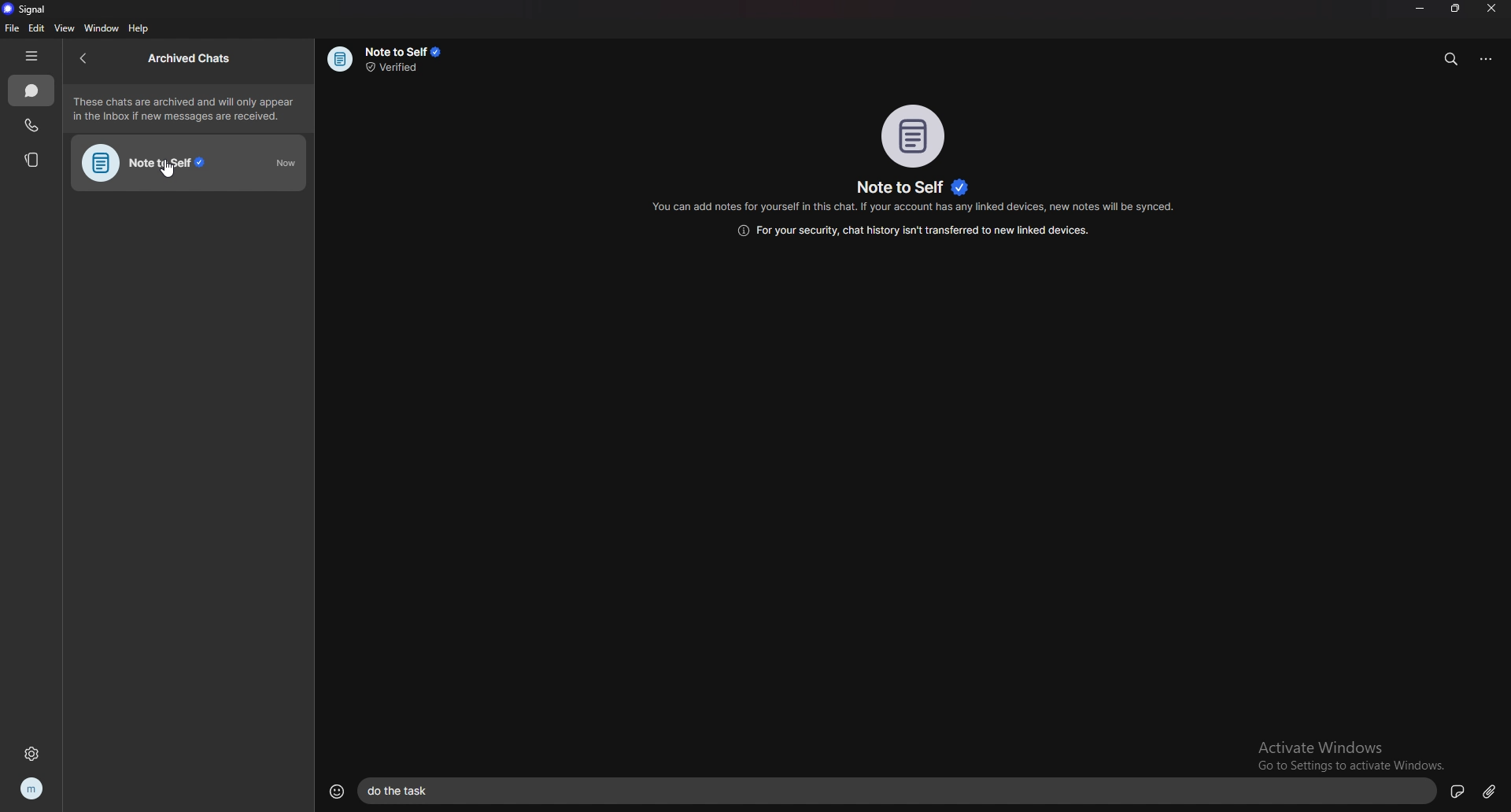 The image size is (1511, 812). I want to click on back, so click(84, 57).